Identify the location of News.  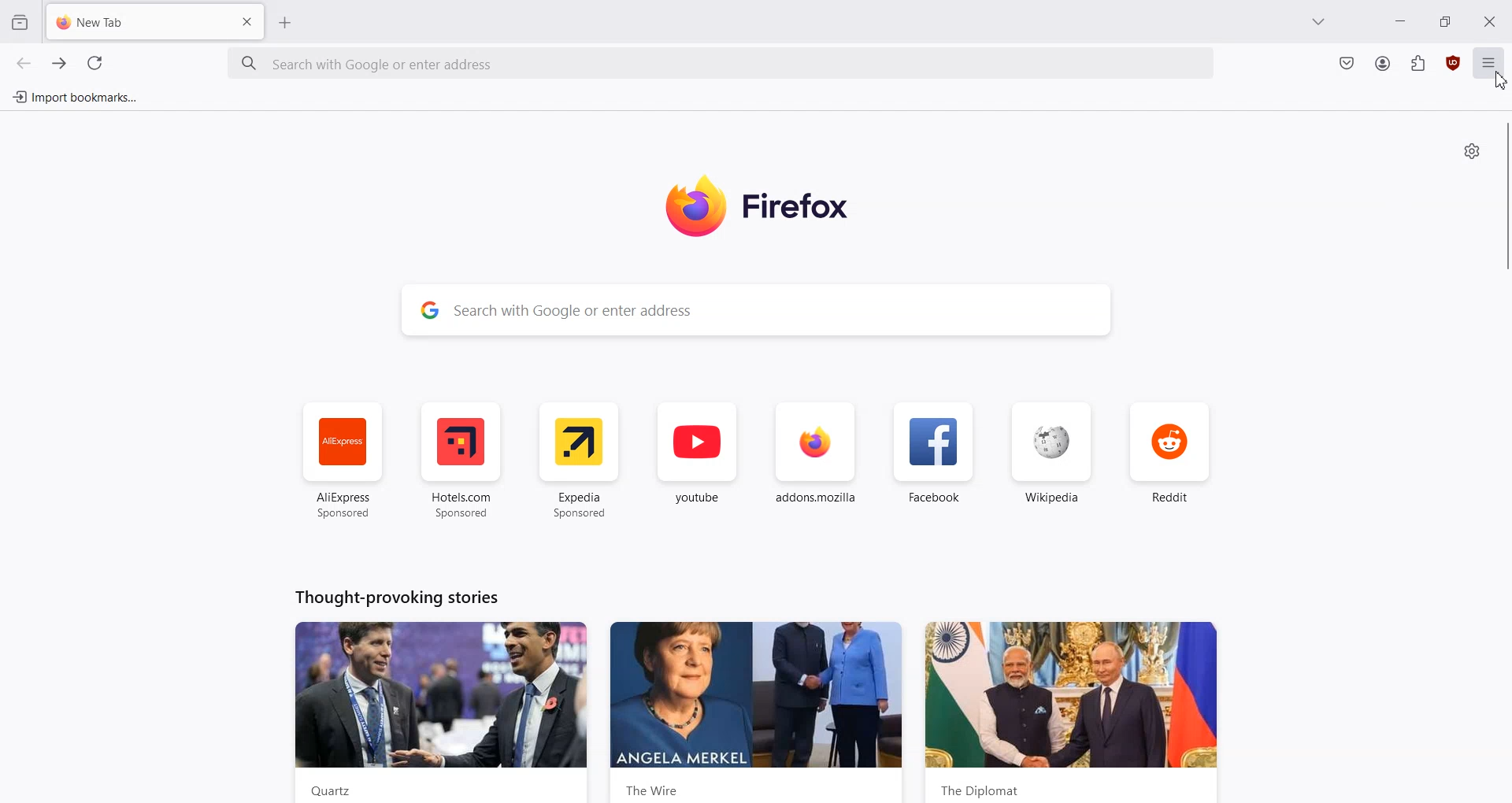
(756, 712).